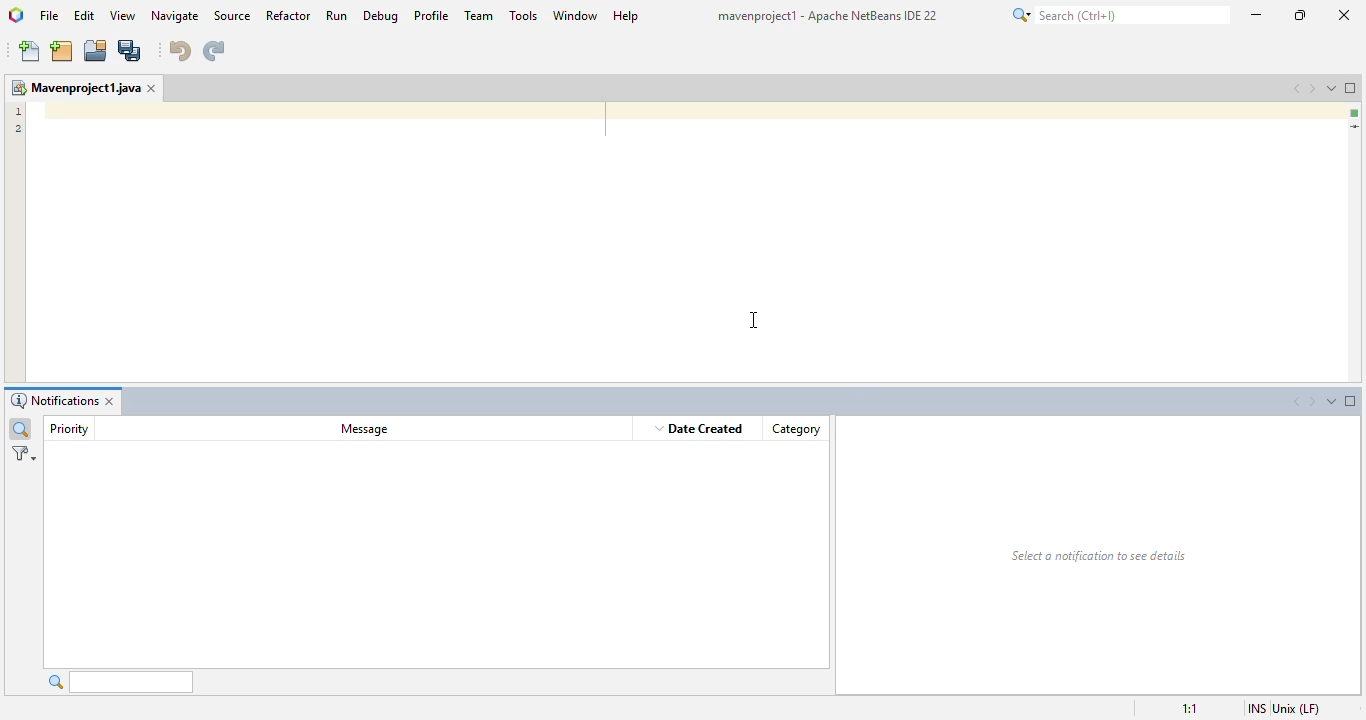  I want to click on close window, so click(154, 88).